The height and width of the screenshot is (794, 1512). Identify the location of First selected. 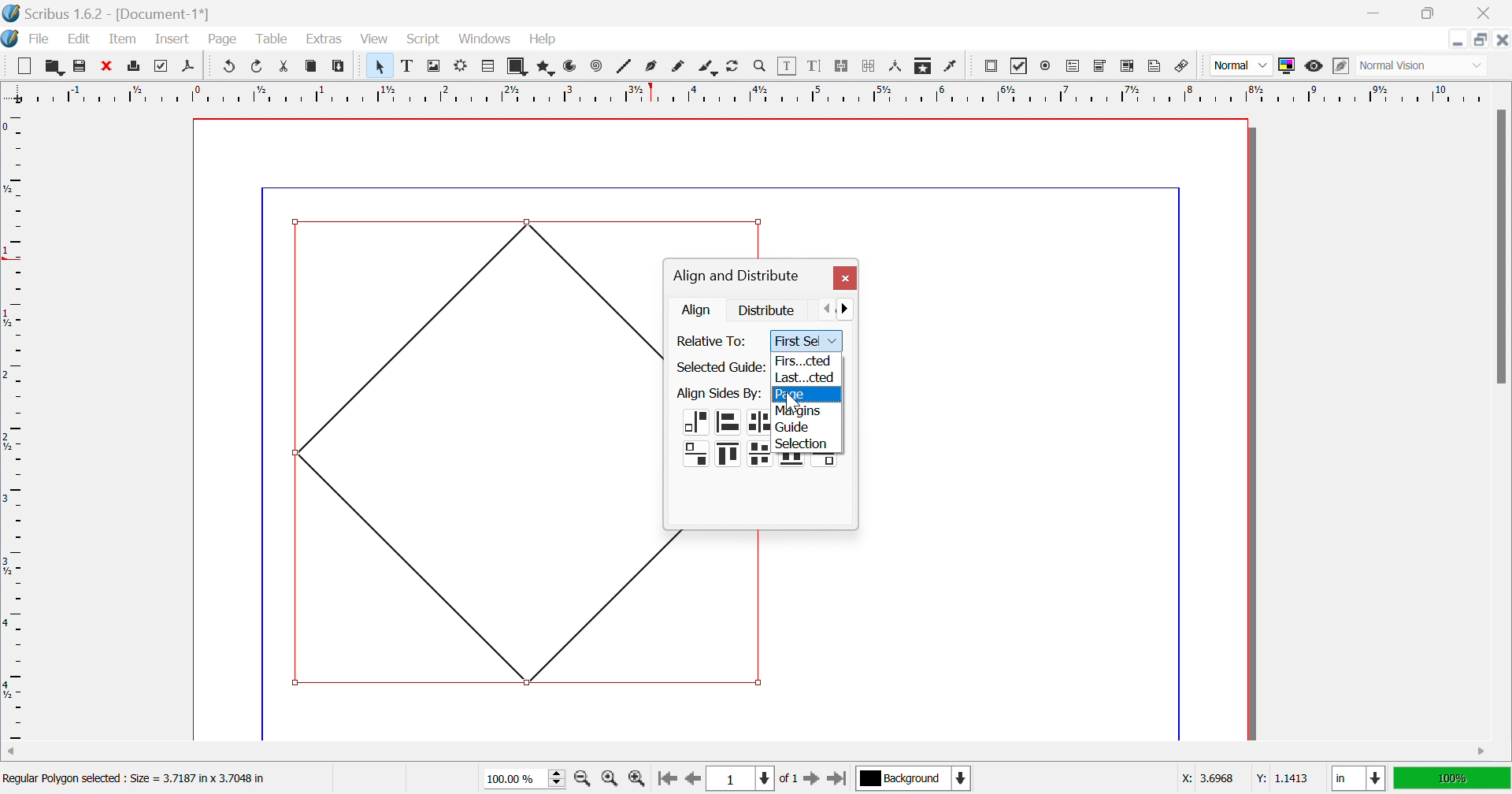
(801, 360).